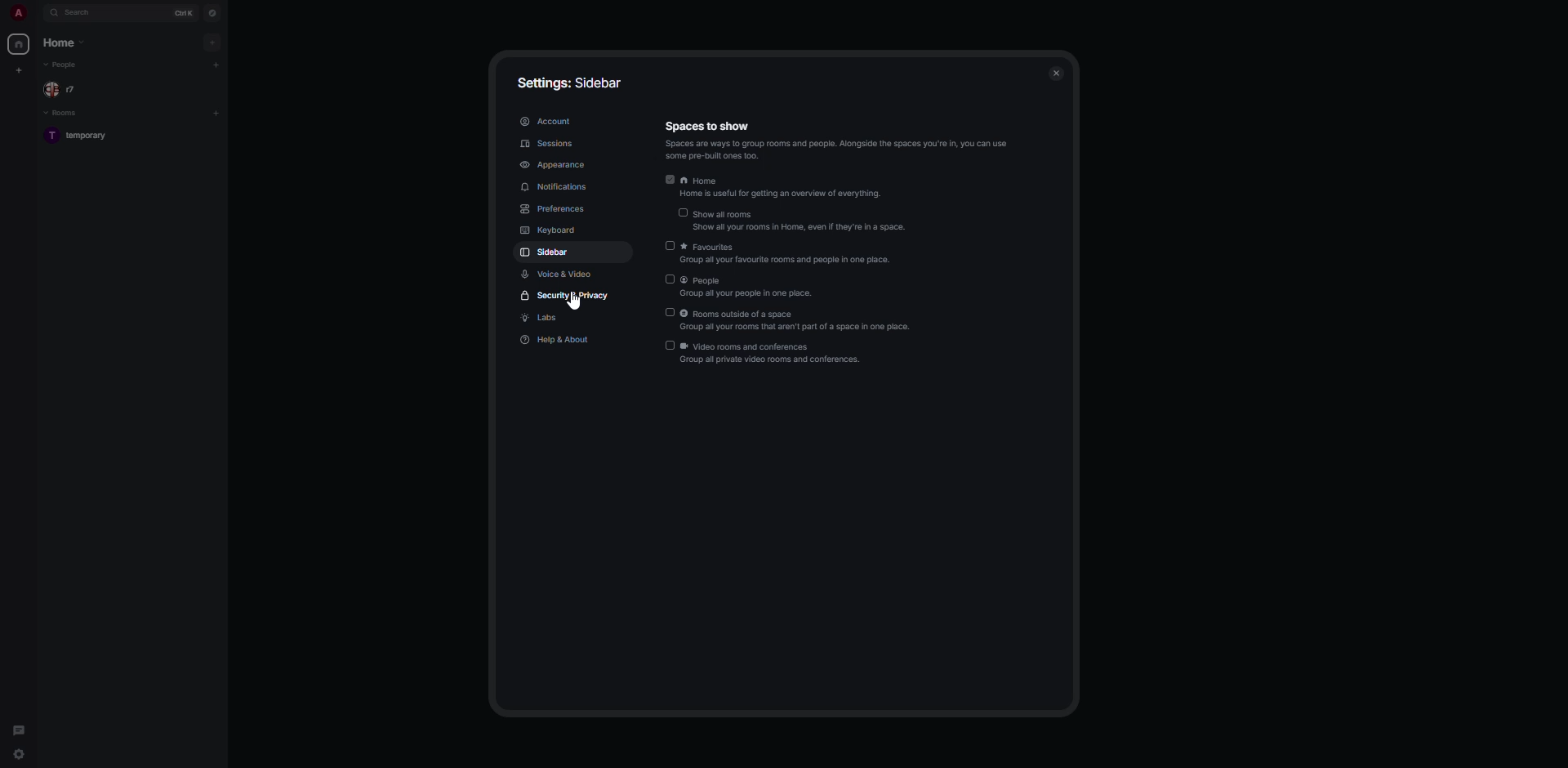 The image size is (1568, 768). Describe the element at coordinates (84, 136) in the screenshot. I see `room` at that location.